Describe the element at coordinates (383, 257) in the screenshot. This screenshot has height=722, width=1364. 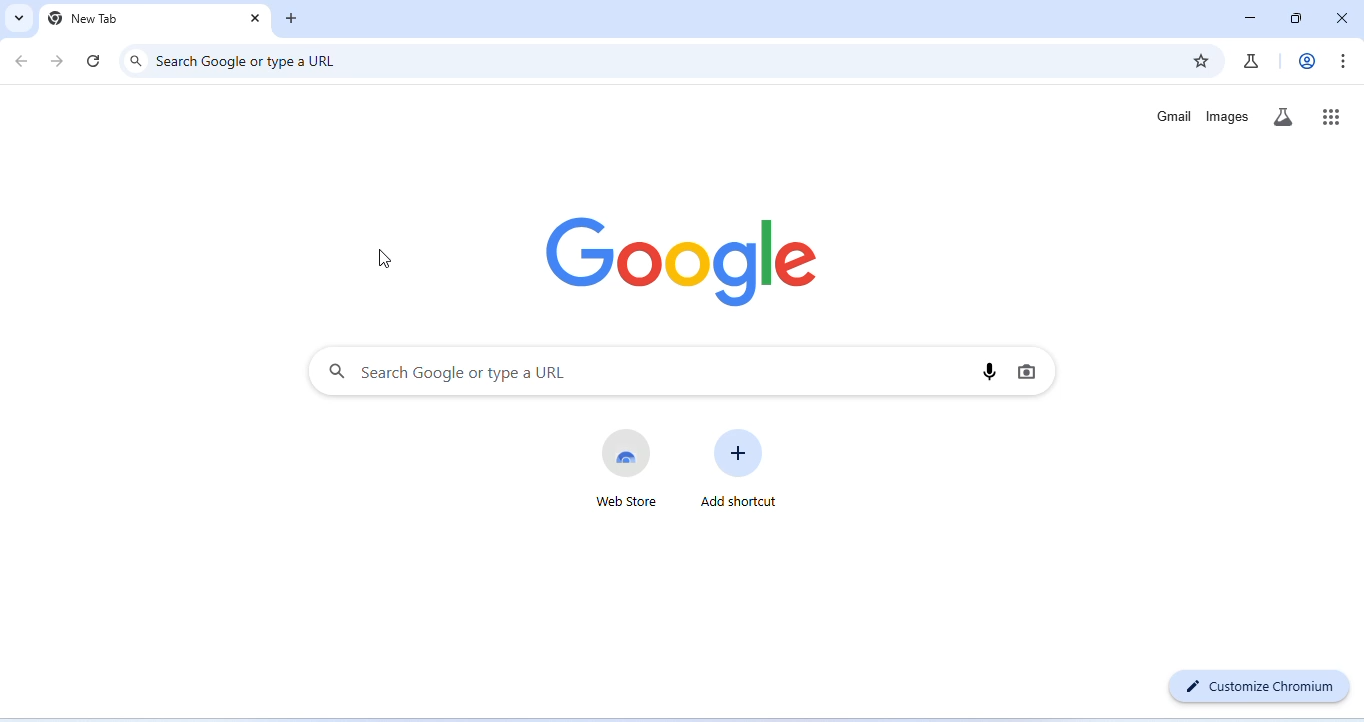
I see `cursor` at that location.